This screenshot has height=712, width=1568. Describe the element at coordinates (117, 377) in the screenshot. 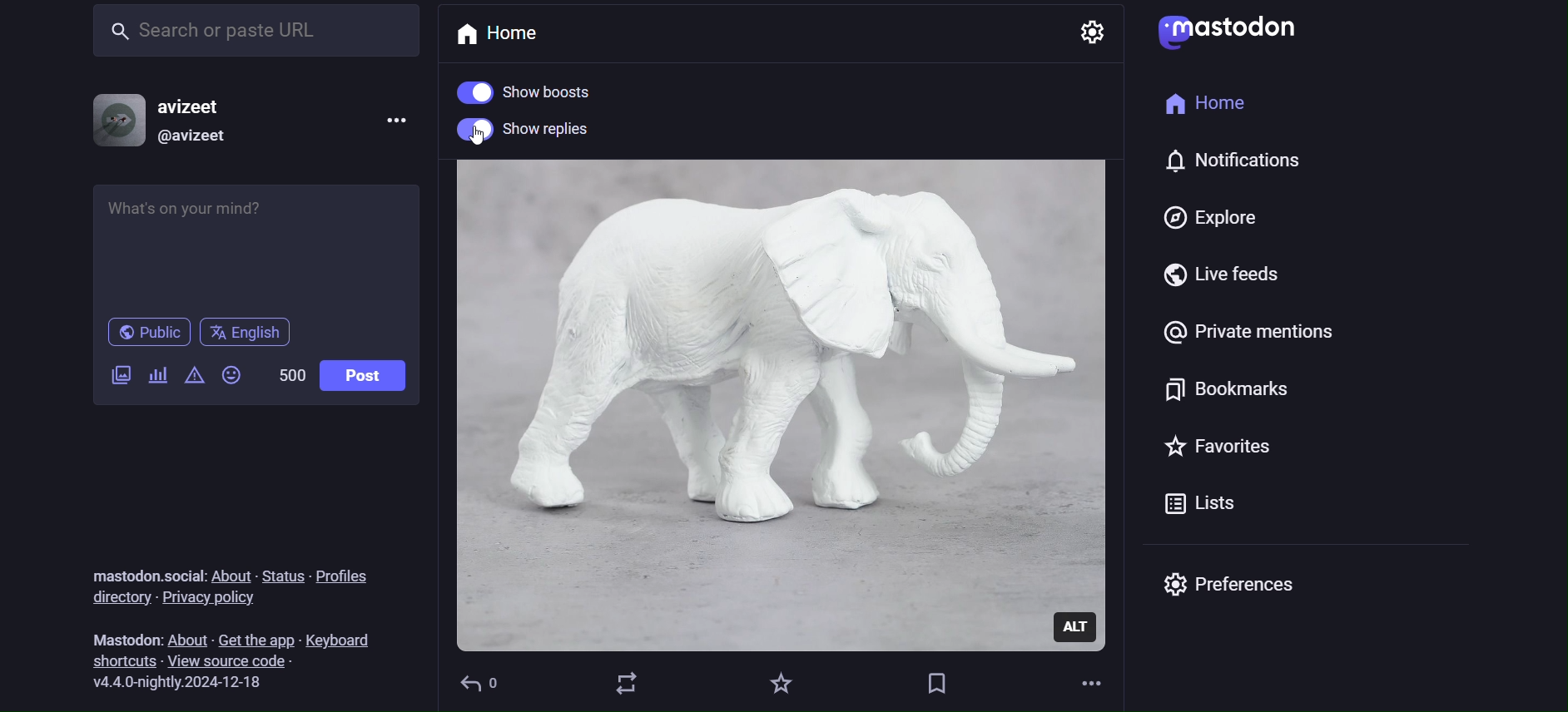

I see `add image` at that location.